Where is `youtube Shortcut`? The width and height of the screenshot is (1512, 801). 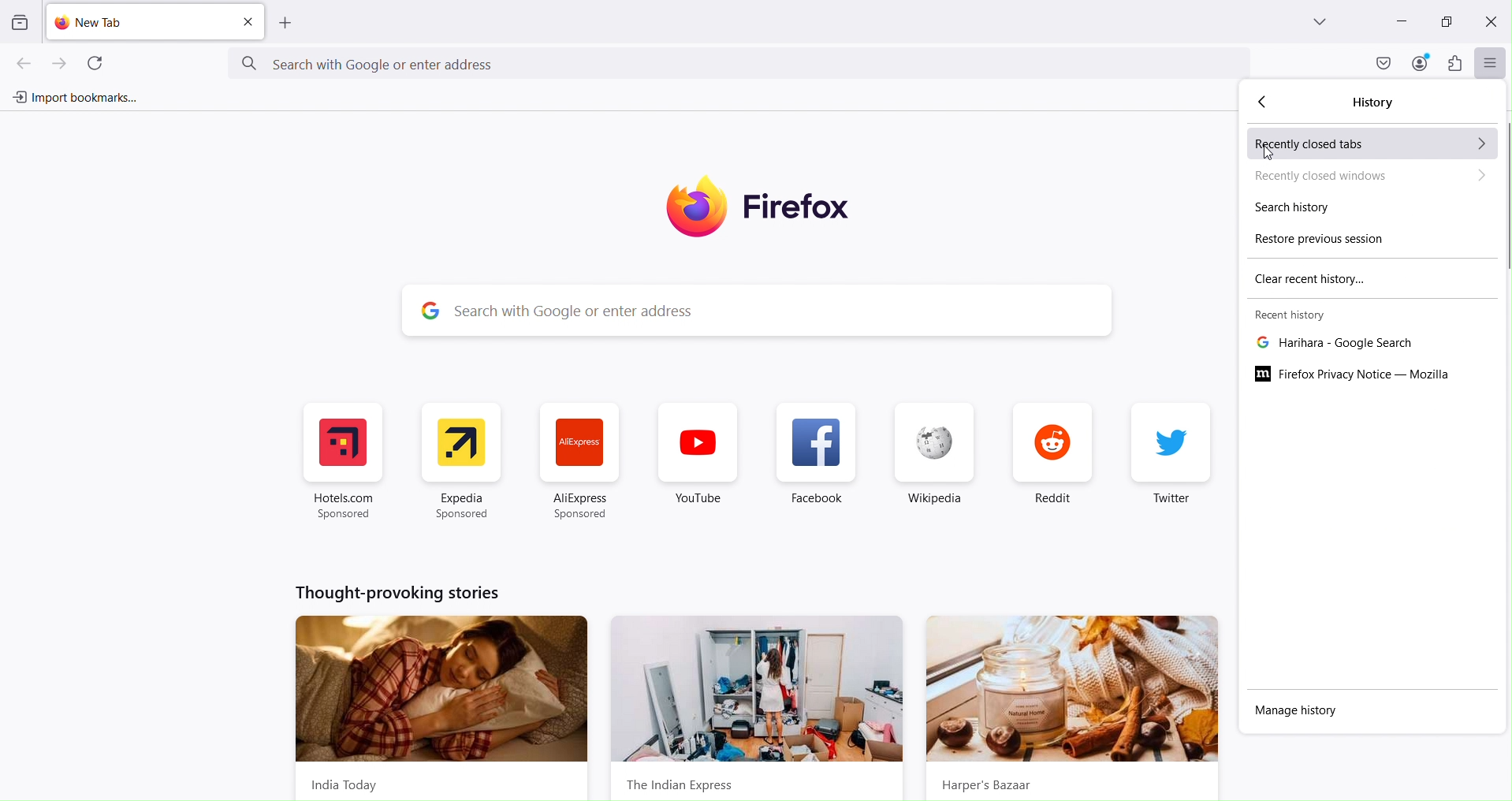 youtube Shortcut is located at coordinates (698, 462).